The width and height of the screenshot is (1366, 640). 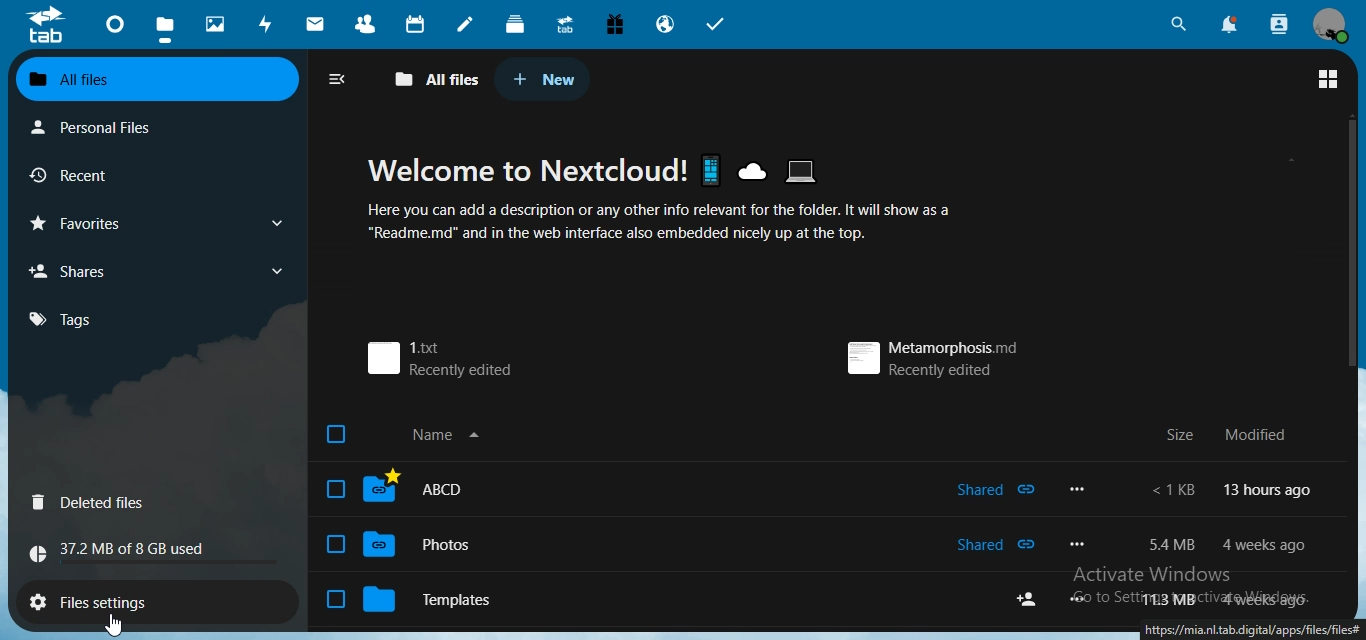 What do you see at coordinates (467, 23) in the screenshot?
I see `notes` at bounding box center [467, 23].